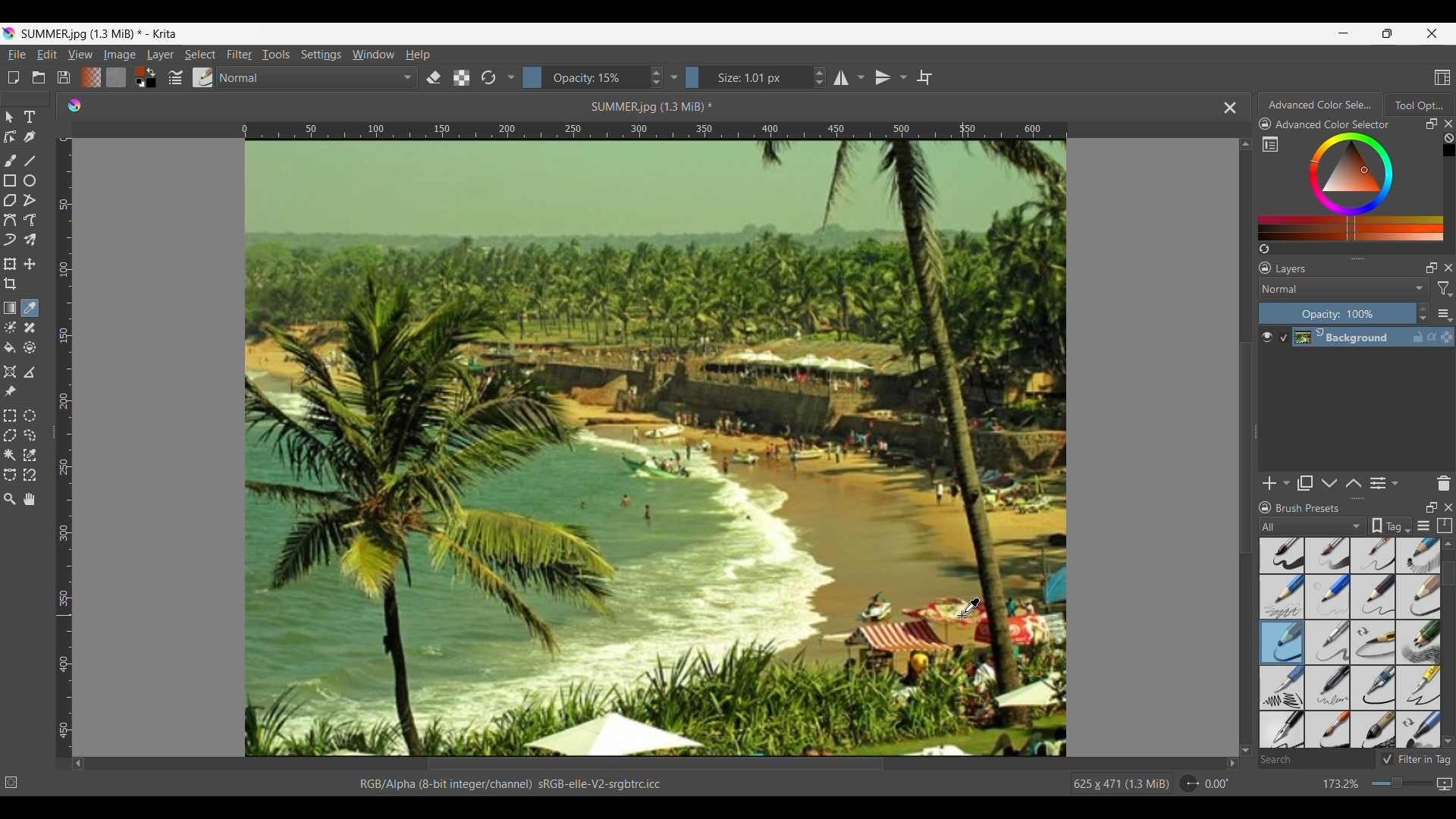  What do you see at coordinates (1444, 314) in the screenshot?
I see `Layer settings` at bounding box center [1444, 314].